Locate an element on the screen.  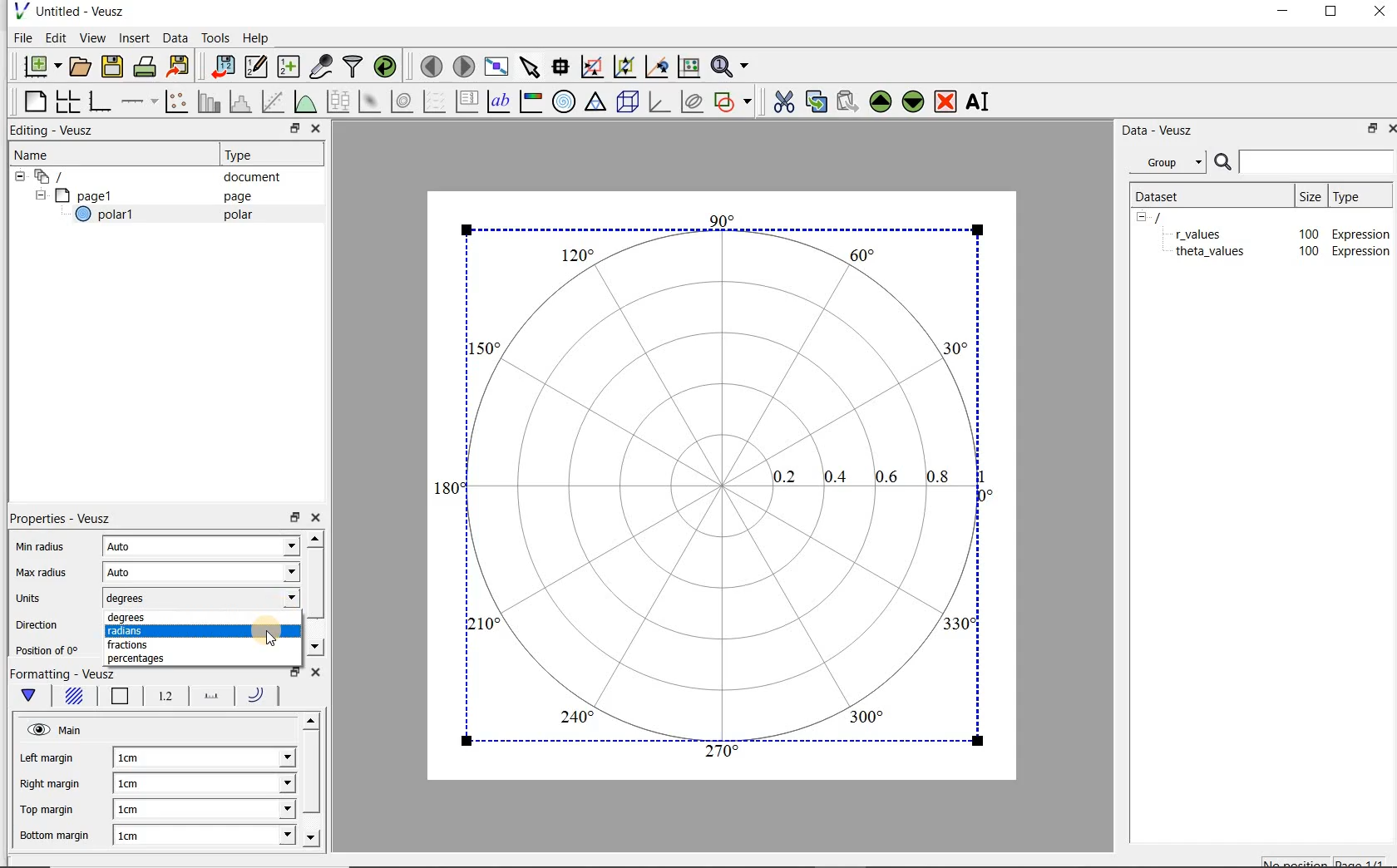
degrees is located at coordinates (144, 614).